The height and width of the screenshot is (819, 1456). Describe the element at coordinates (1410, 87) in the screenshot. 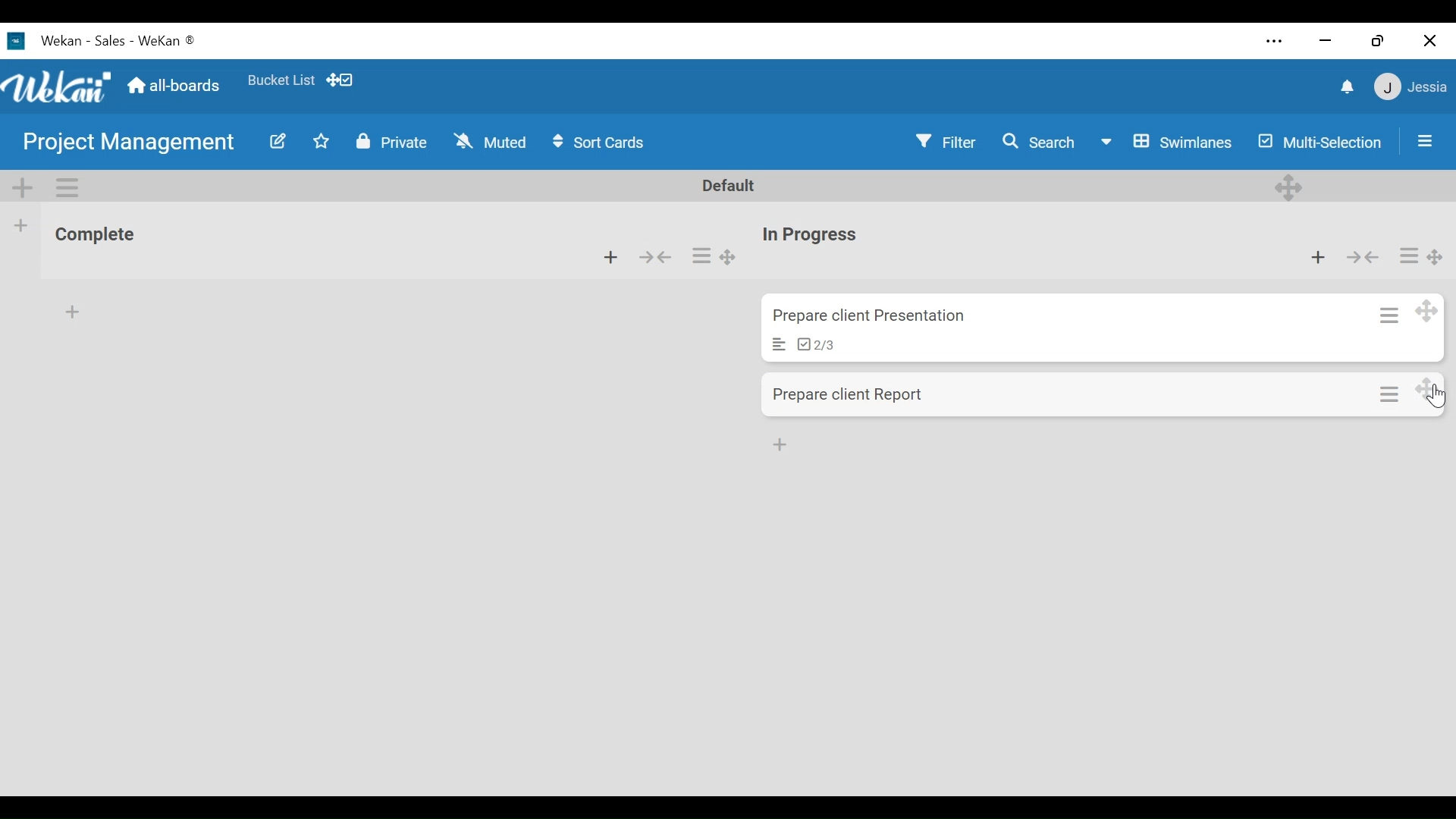

I see `jessie` at that location.